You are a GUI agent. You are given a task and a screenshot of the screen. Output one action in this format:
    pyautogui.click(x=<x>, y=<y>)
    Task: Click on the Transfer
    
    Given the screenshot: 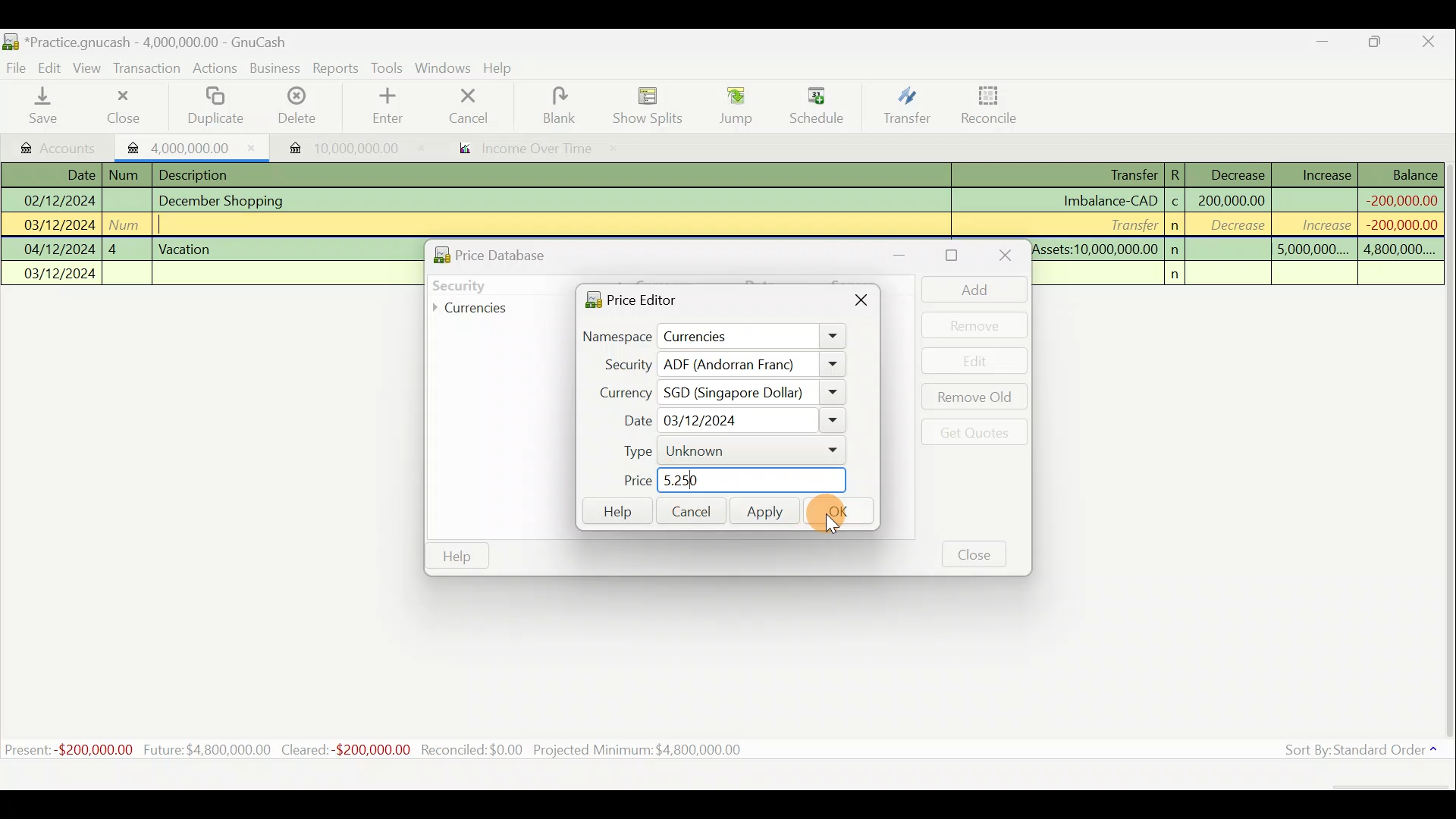 What is the action you would take?
    pyautogui.click(x=1129, y=224)
    